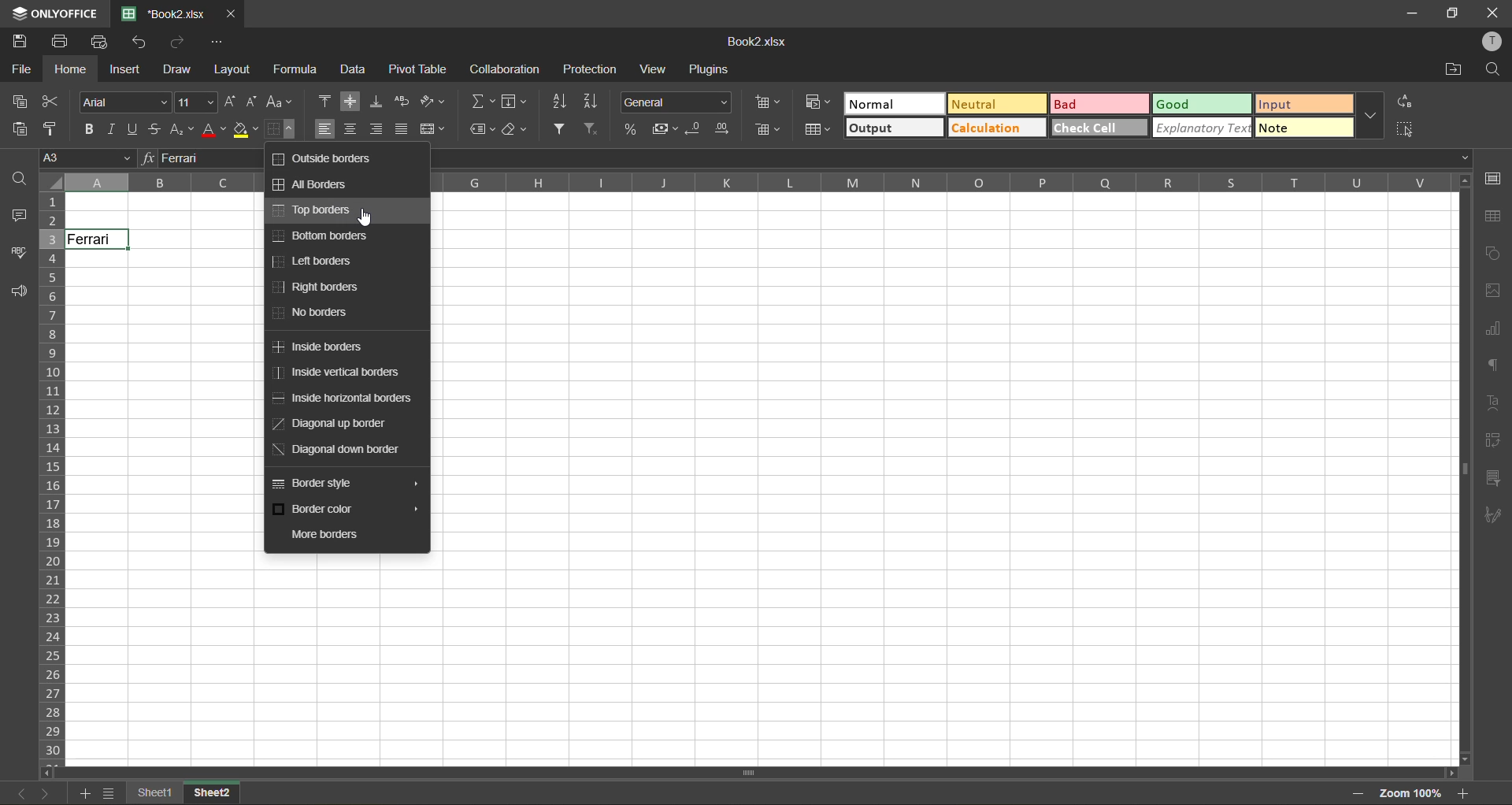 The width and height of the screenshot is (1512, 805). Describe the element at coordinates (1371, 116) in the screenshot. I see `more options` at that location.